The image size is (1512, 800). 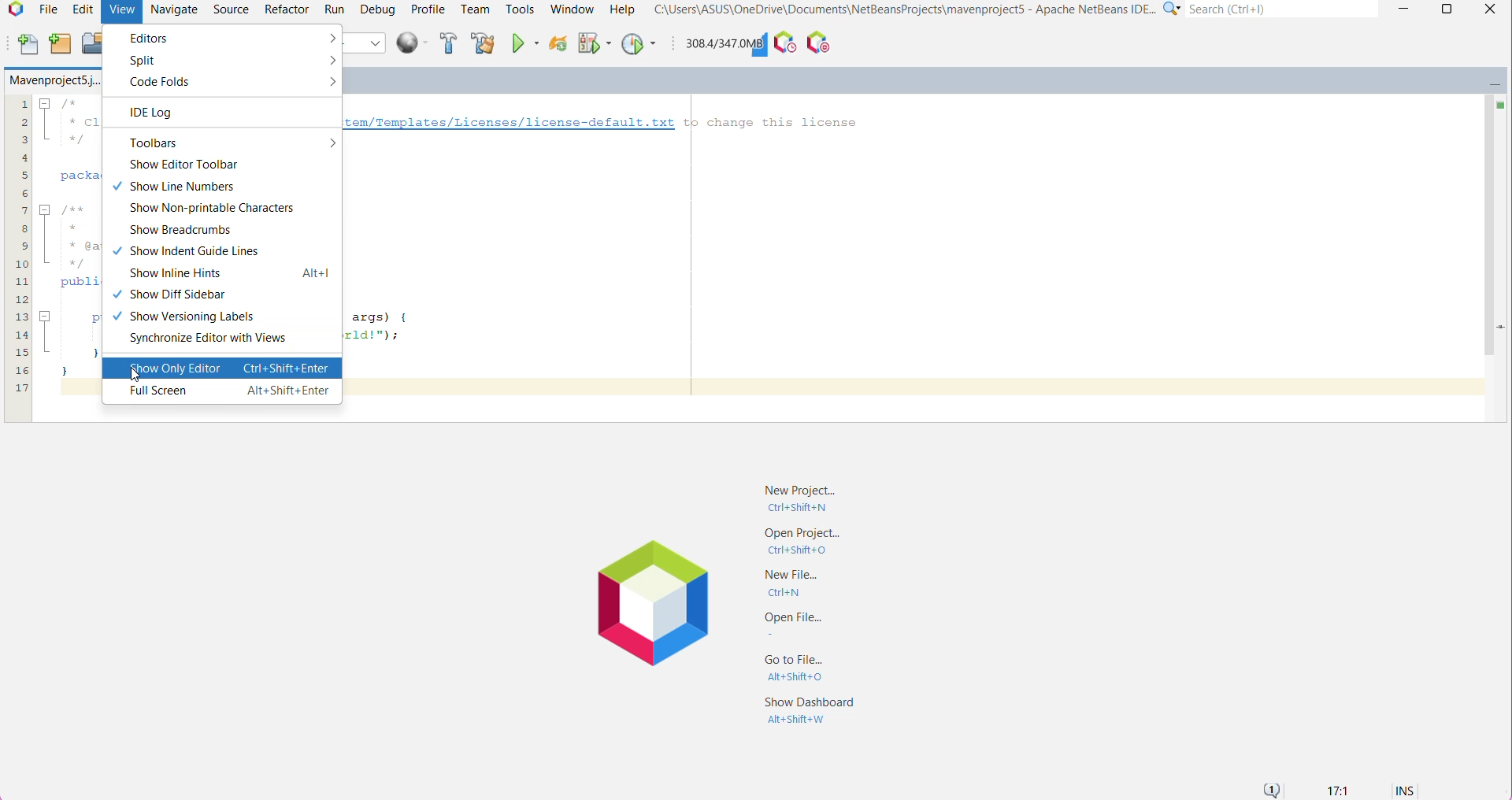 What do you see at coordinates (520, 9) in the screenshot?
I see `Tools` at bounding box center [520, 9].